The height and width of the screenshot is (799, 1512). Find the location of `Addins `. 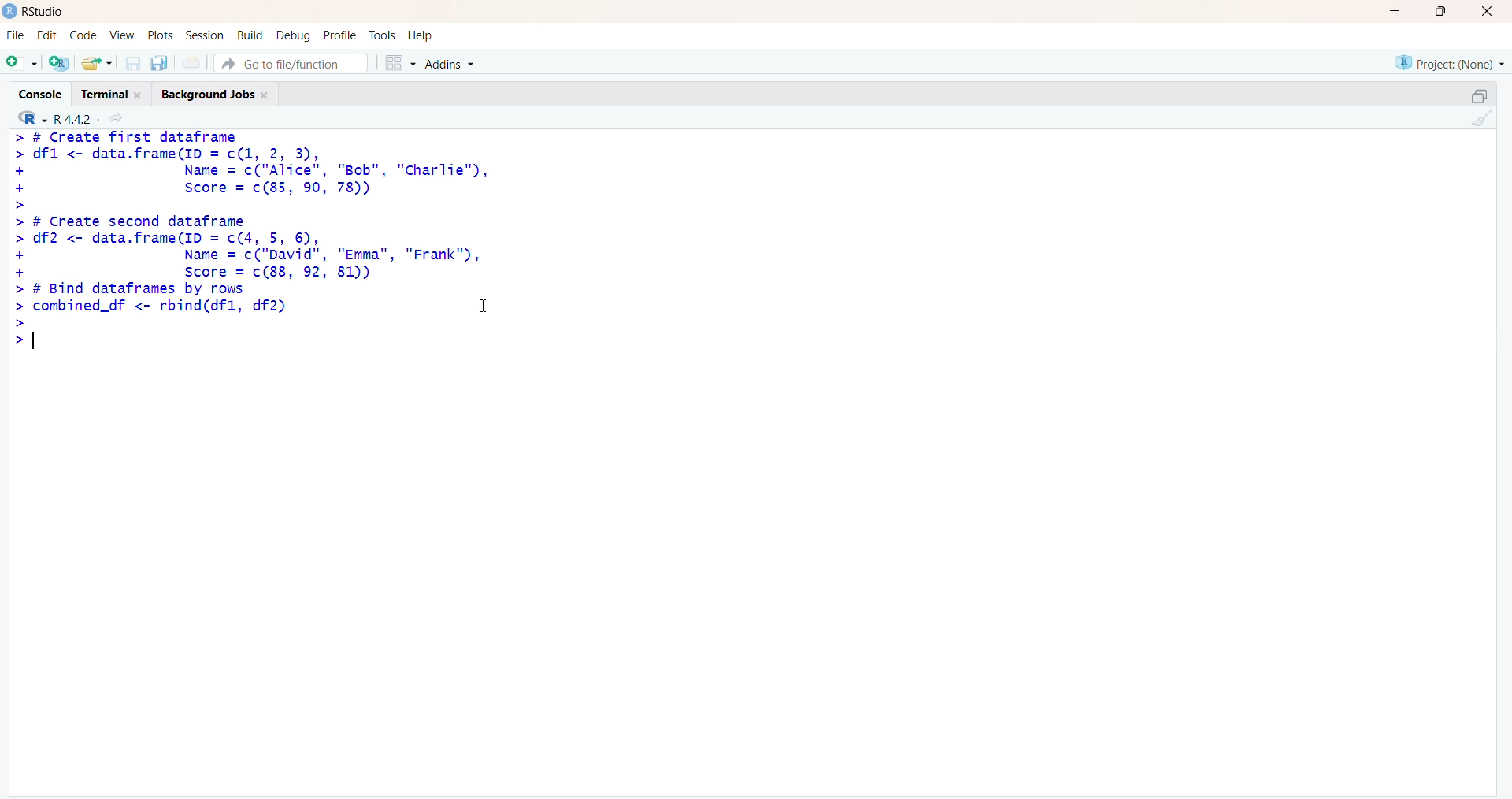

Addins  is located at coordinates (449, 64).